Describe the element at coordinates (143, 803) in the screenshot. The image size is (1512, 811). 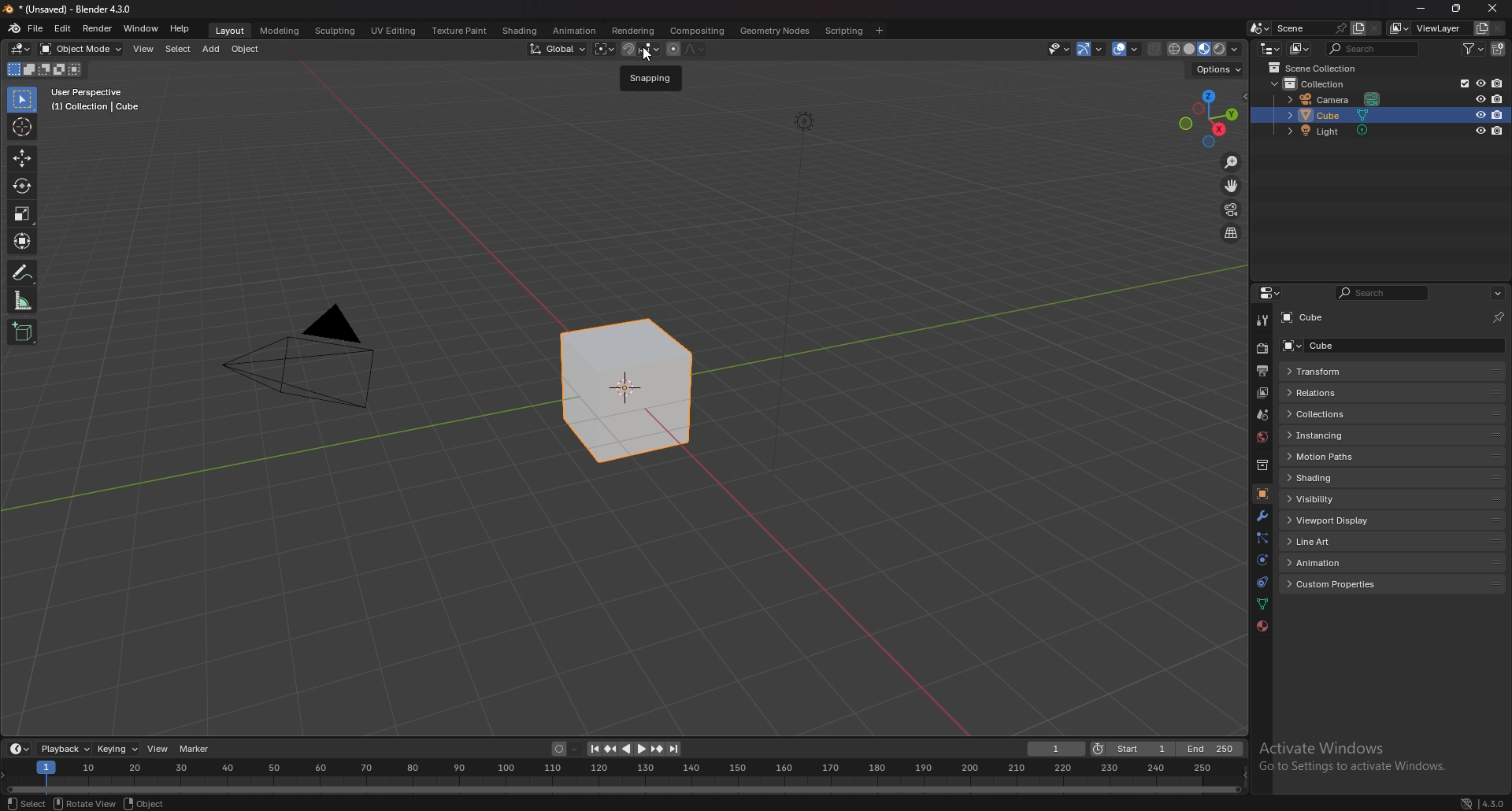
I see `object` at that location.